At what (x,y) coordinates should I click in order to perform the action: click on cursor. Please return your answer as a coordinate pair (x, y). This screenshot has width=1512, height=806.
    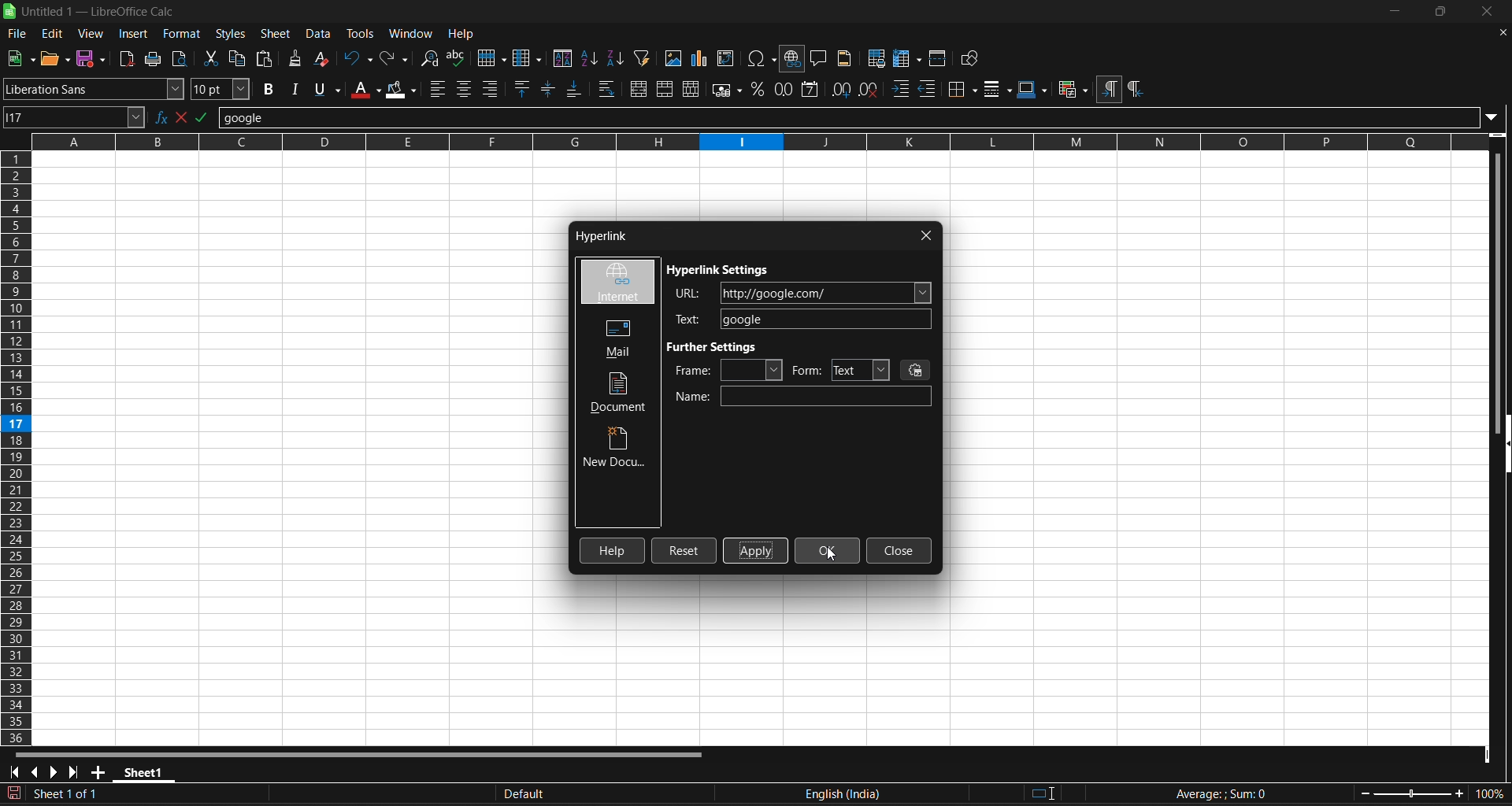
    Looking at the image, I should click on (832, 558).